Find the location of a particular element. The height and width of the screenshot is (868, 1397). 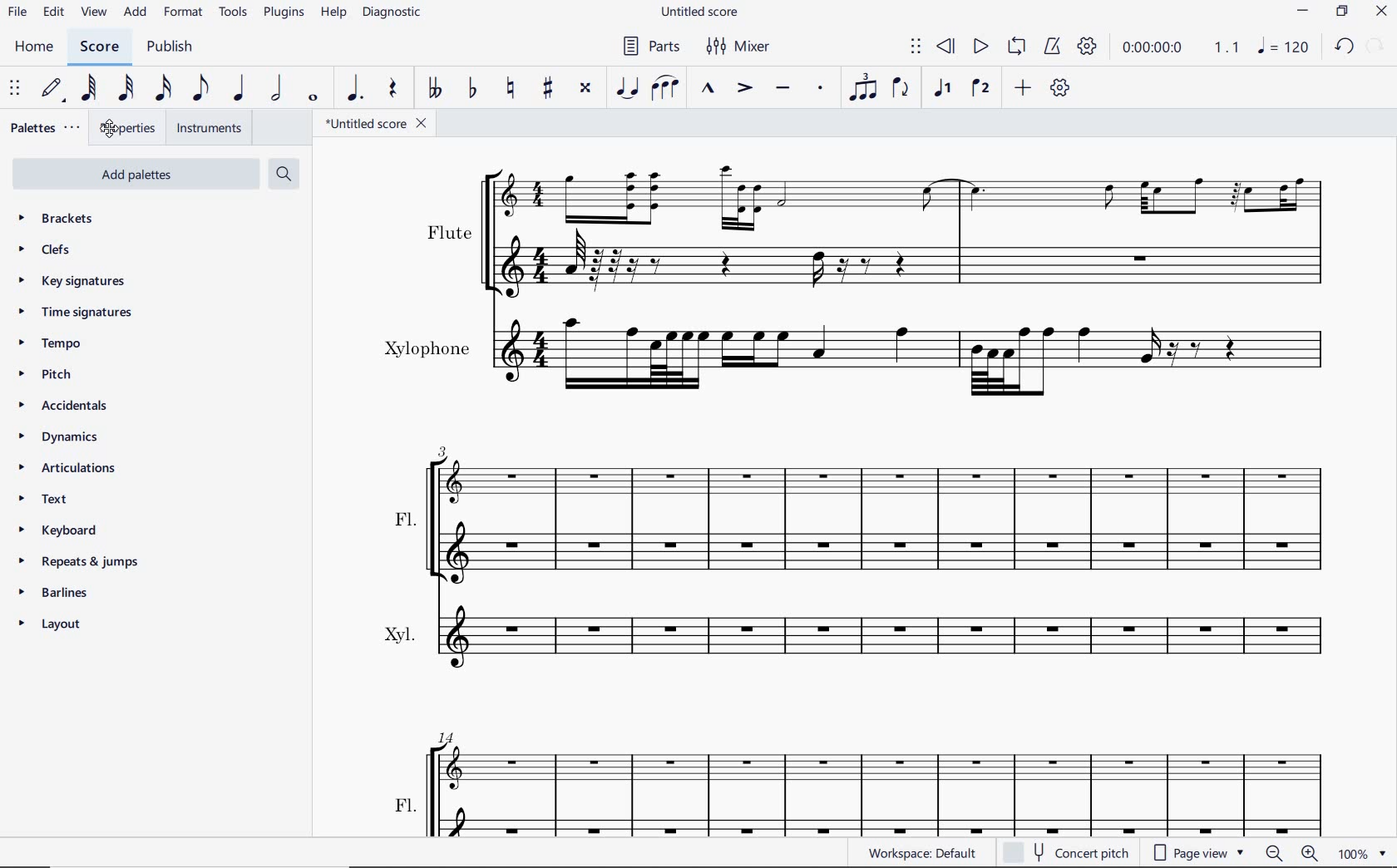

articulations is located at coordinates (66, 469).